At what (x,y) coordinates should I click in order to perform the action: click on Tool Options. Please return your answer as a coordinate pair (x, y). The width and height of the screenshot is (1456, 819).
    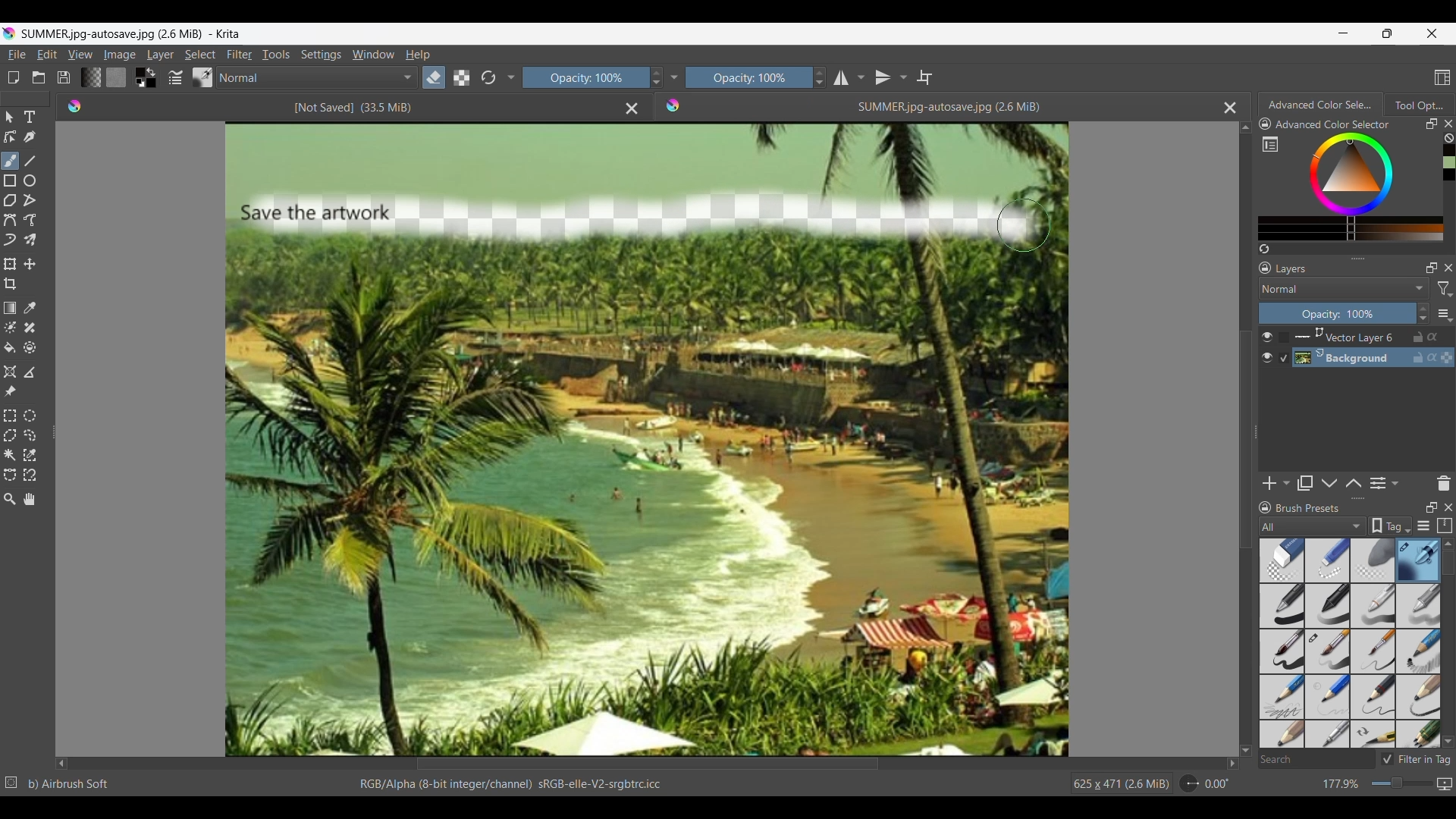
    Looking at the image, I should click on (1420, 105).